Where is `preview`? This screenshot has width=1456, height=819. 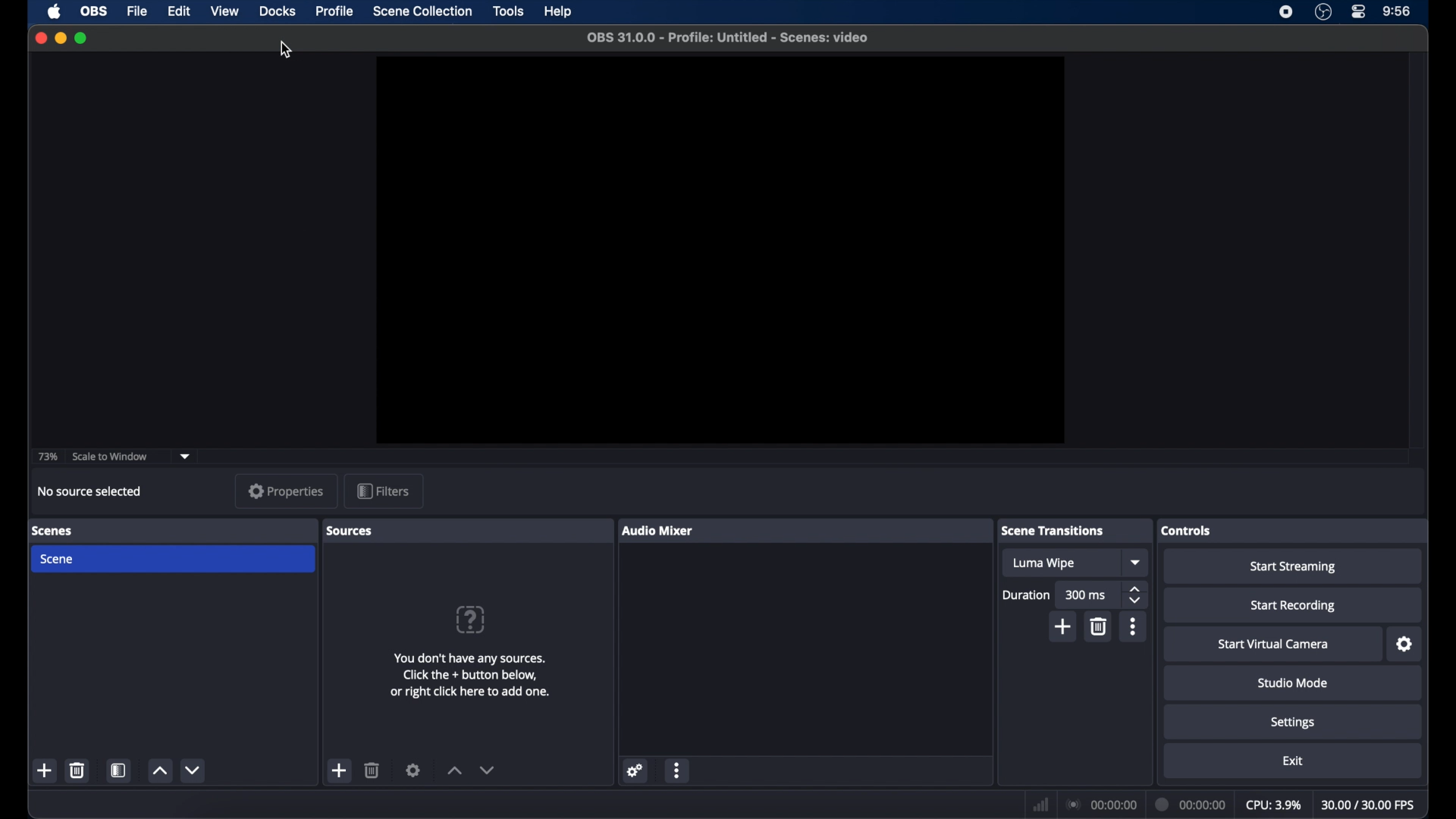 preview is located at coordinates (719, 250).